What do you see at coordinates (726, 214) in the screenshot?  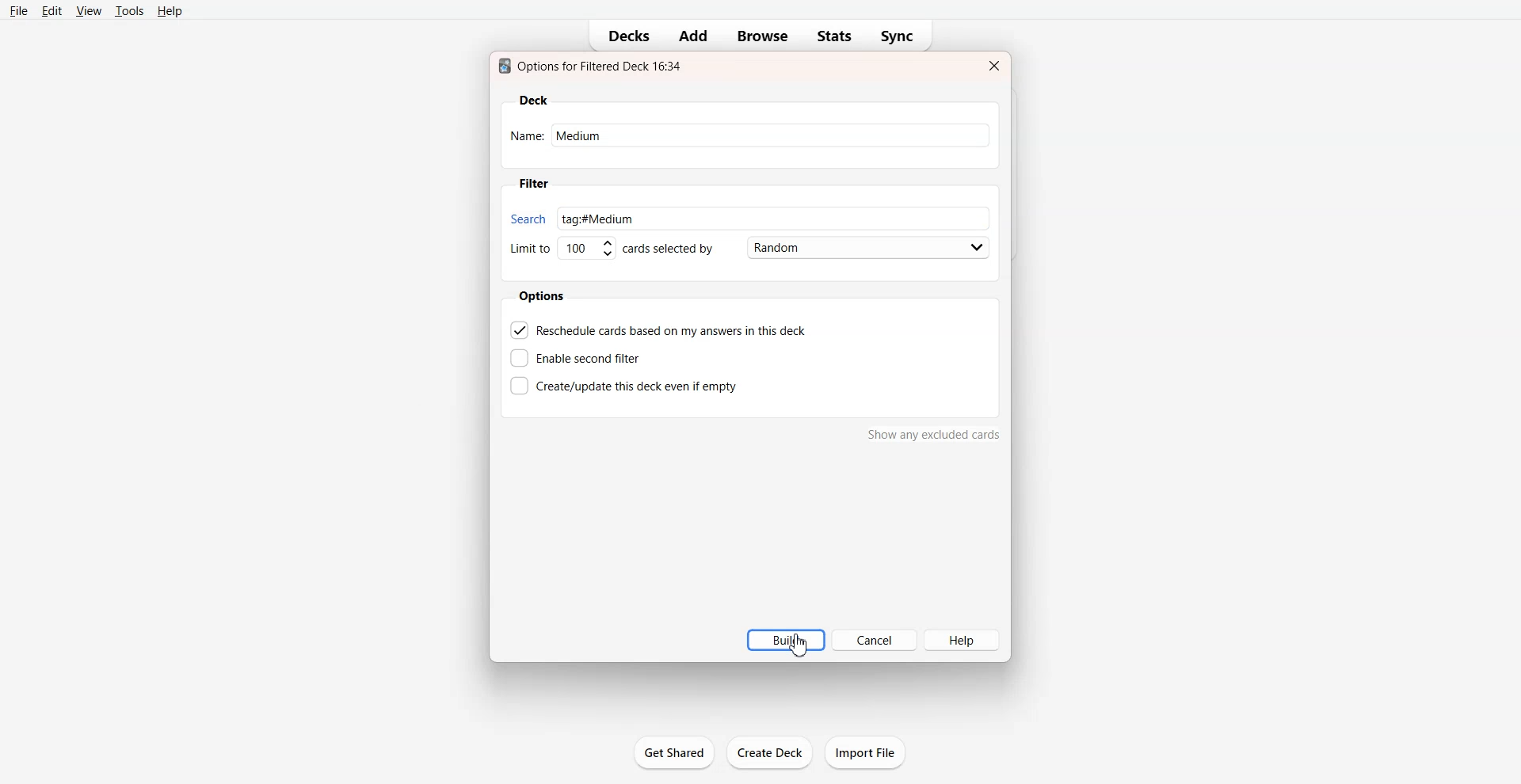 I see `Search bar` at bounding box center [726, 214].